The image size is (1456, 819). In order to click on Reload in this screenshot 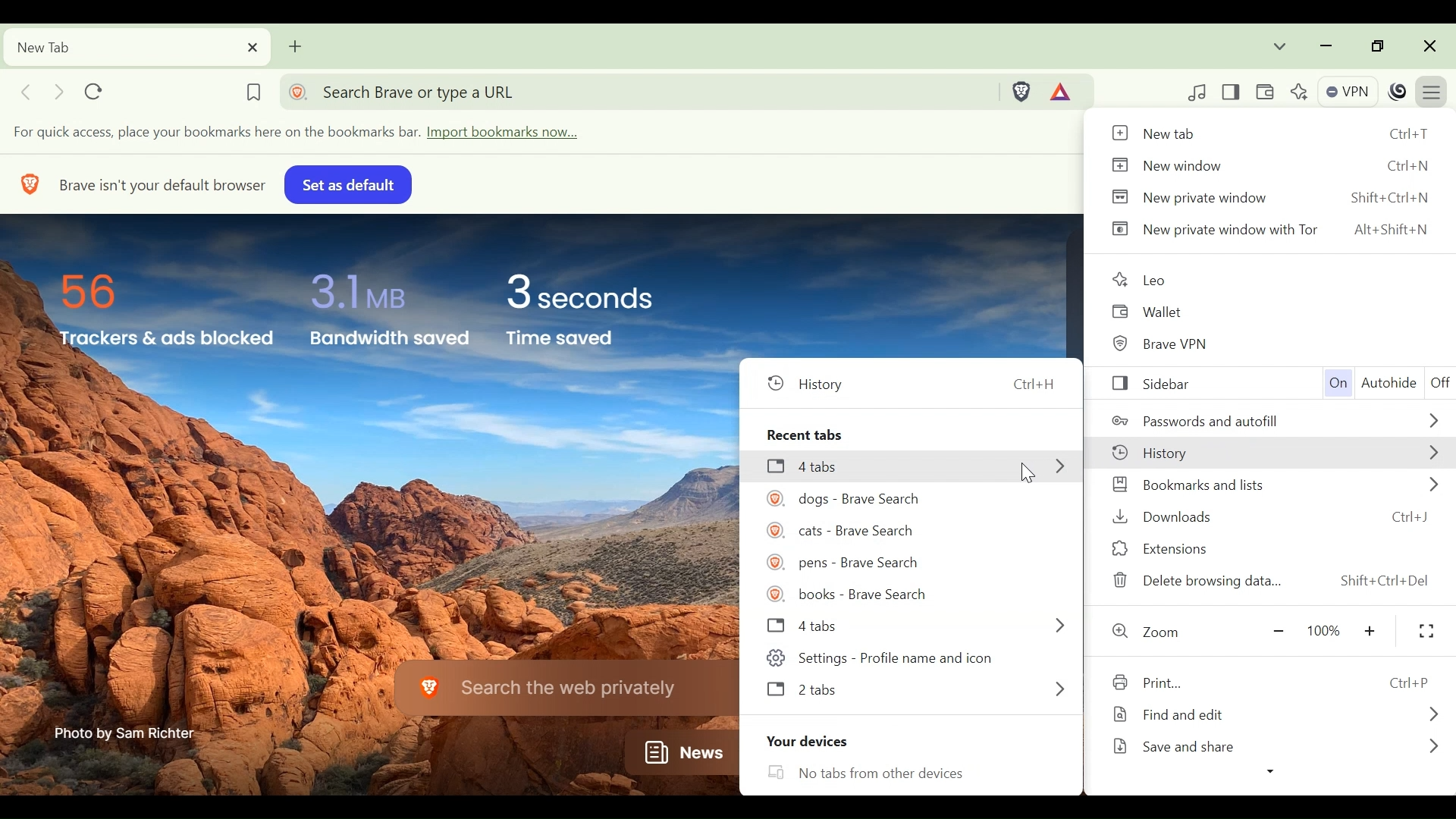, I will do `click(97, 88)`.